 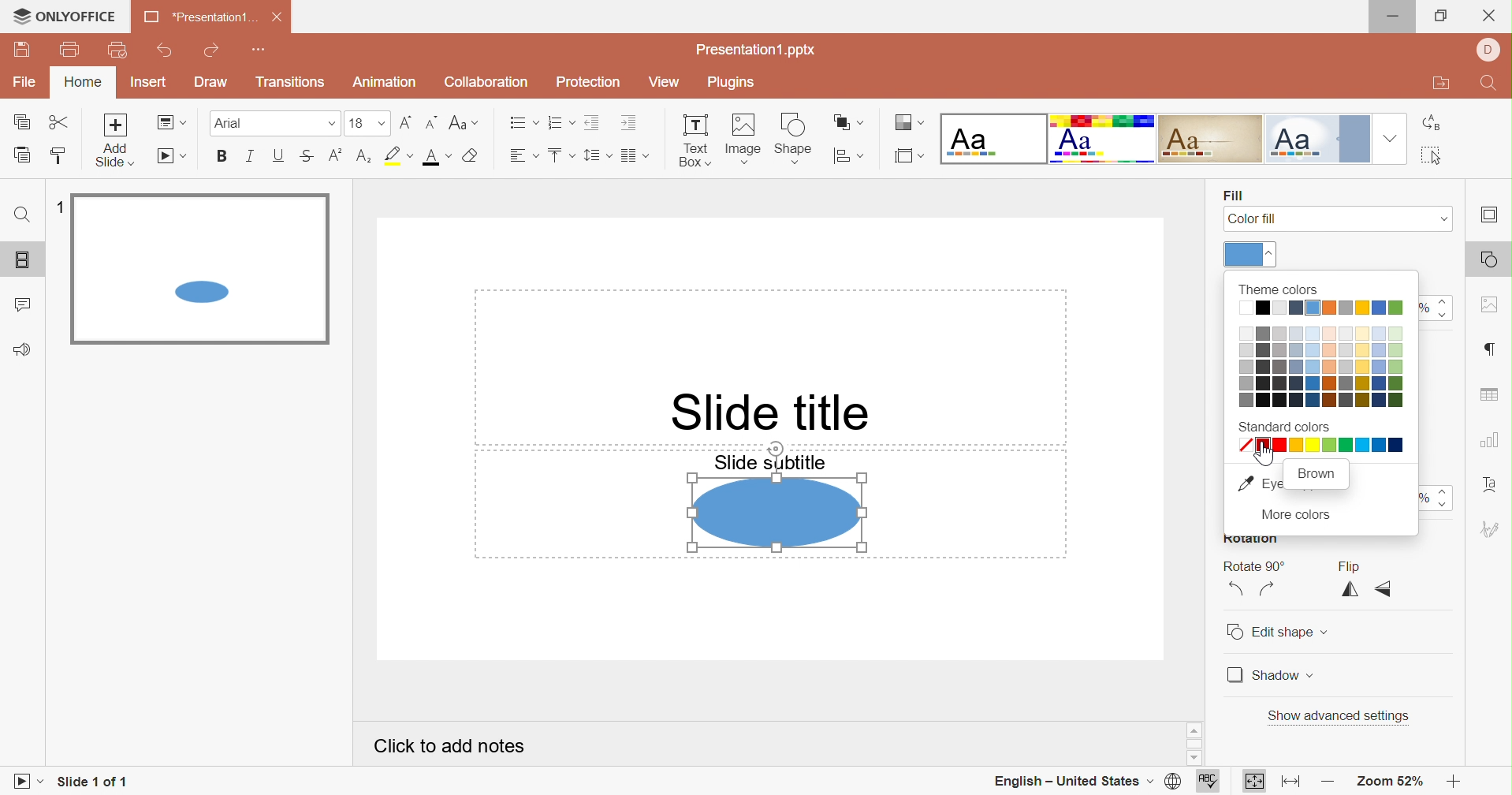 What do you see at coordinates (1439, 17) in the screenshot?
I see `Restore down` at bounding box center [1439, 17].